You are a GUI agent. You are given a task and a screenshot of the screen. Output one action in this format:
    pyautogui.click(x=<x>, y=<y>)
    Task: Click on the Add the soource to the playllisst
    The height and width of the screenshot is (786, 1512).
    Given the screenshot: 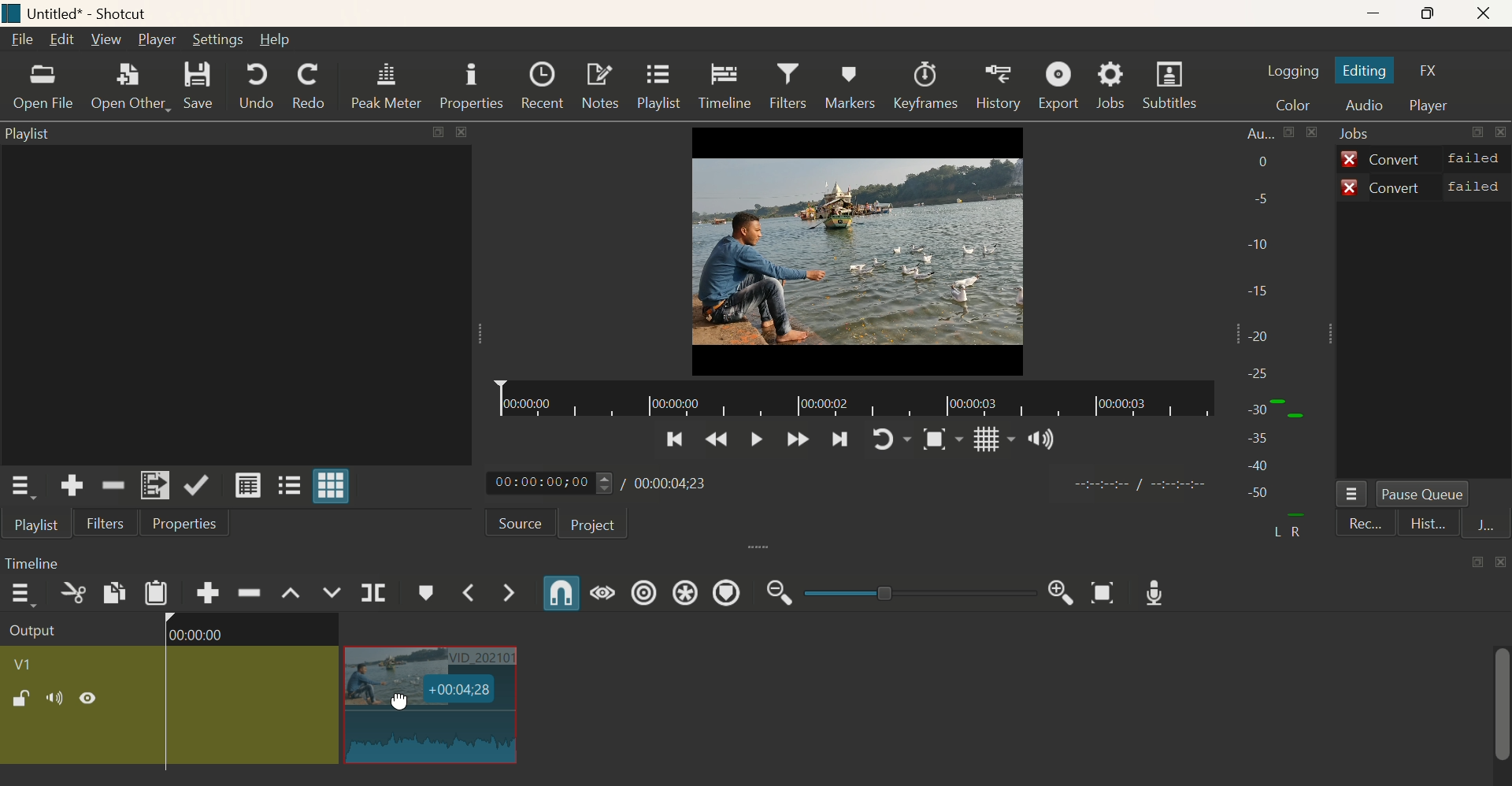 What is the action you would take?
    pyautogui.click(x=75, y=485)
    